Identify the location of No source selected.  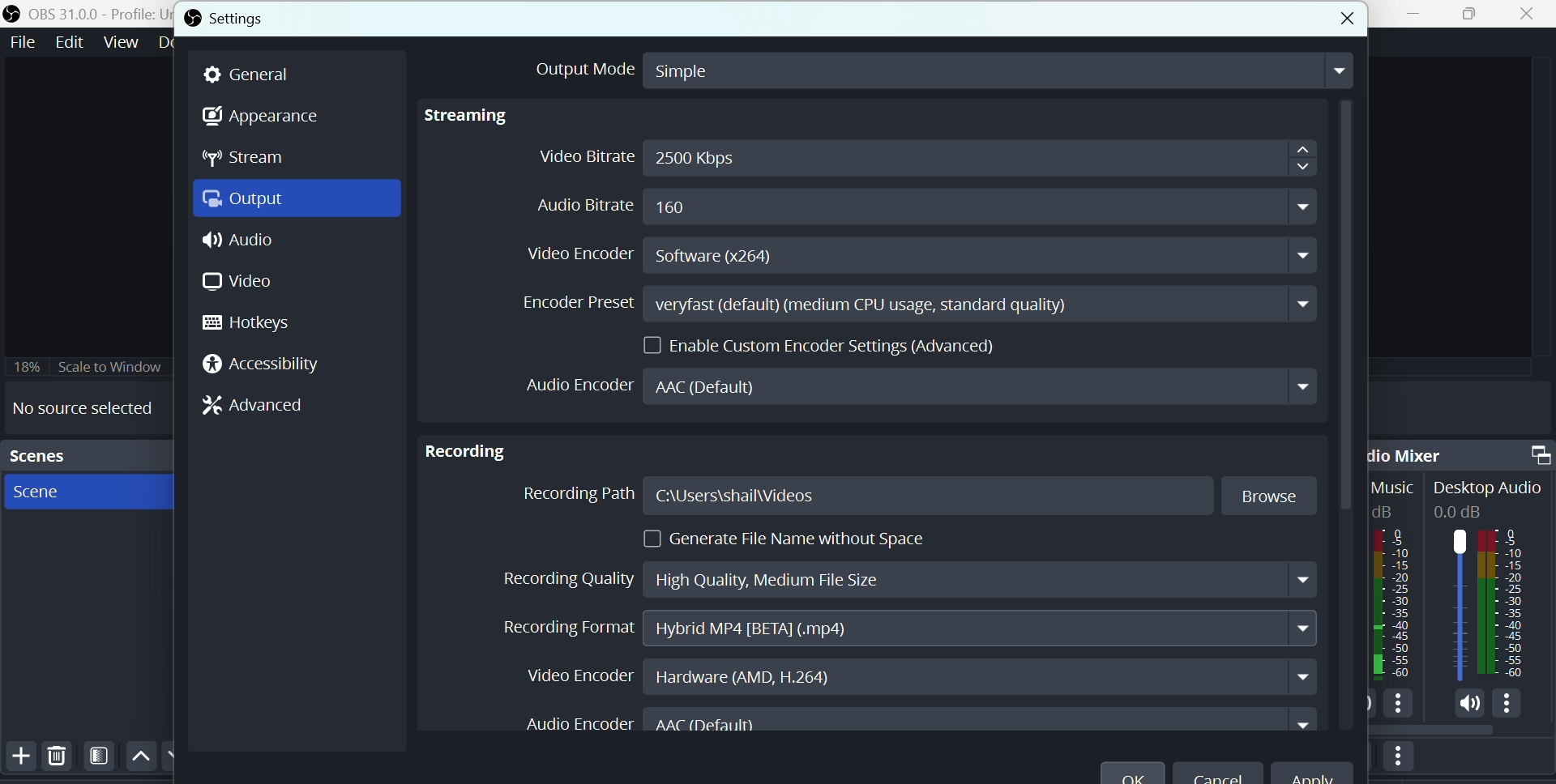
(79, 409).